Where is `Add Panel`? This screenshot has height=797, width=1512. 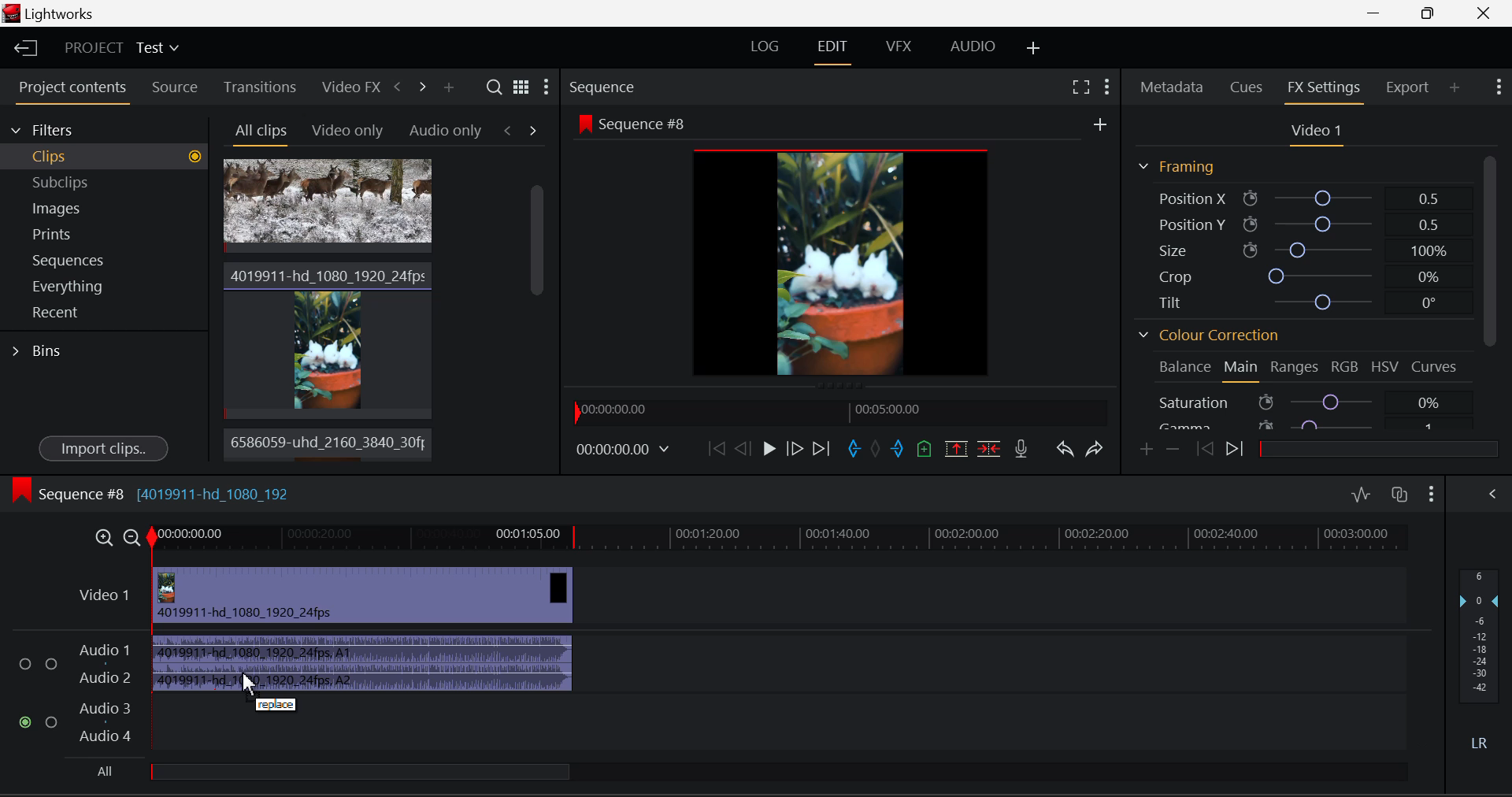
Add Panel is located at coordinates (448, 87).